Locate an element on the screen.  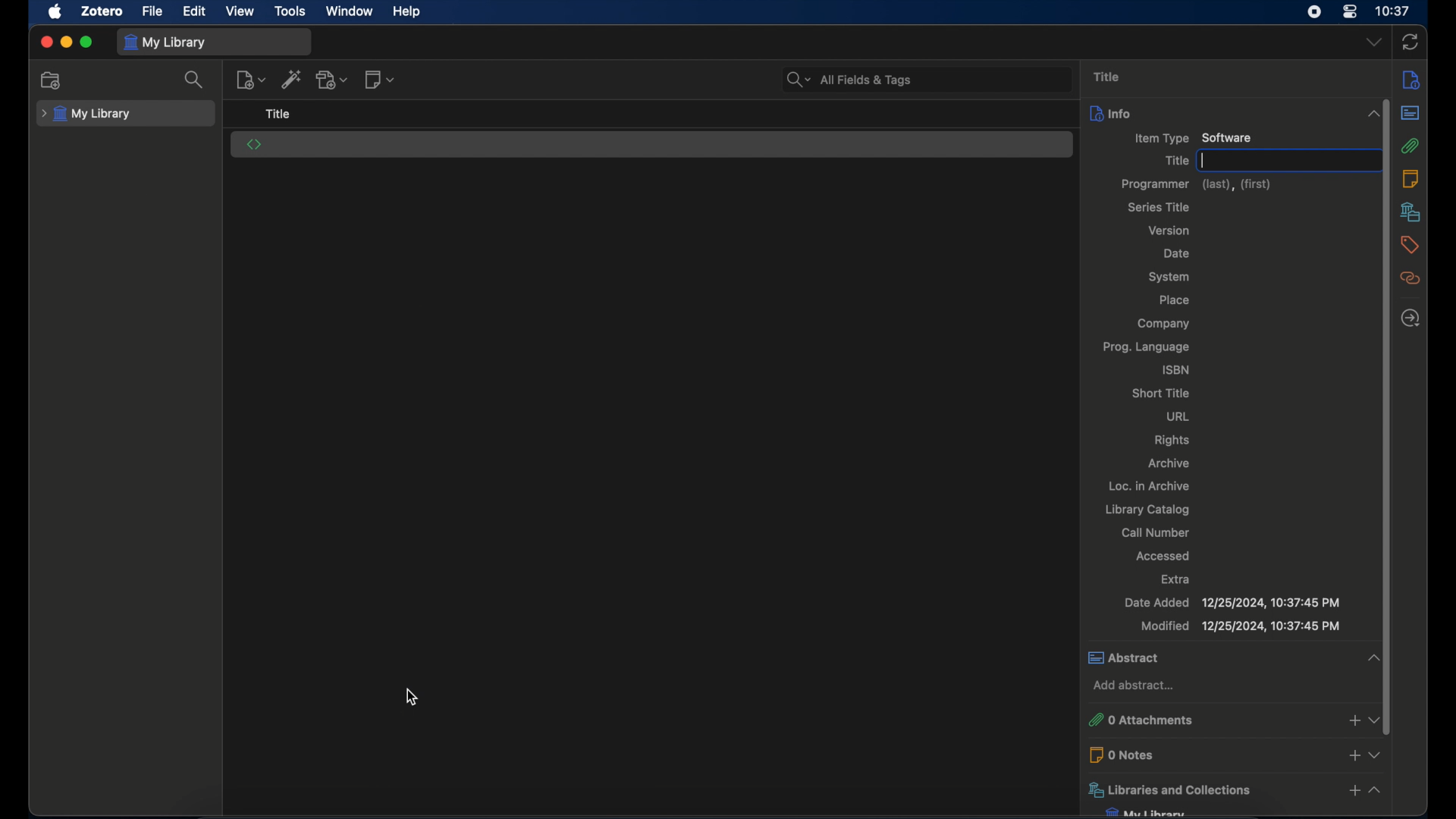
add attachment is located at coordinates (332, 80).